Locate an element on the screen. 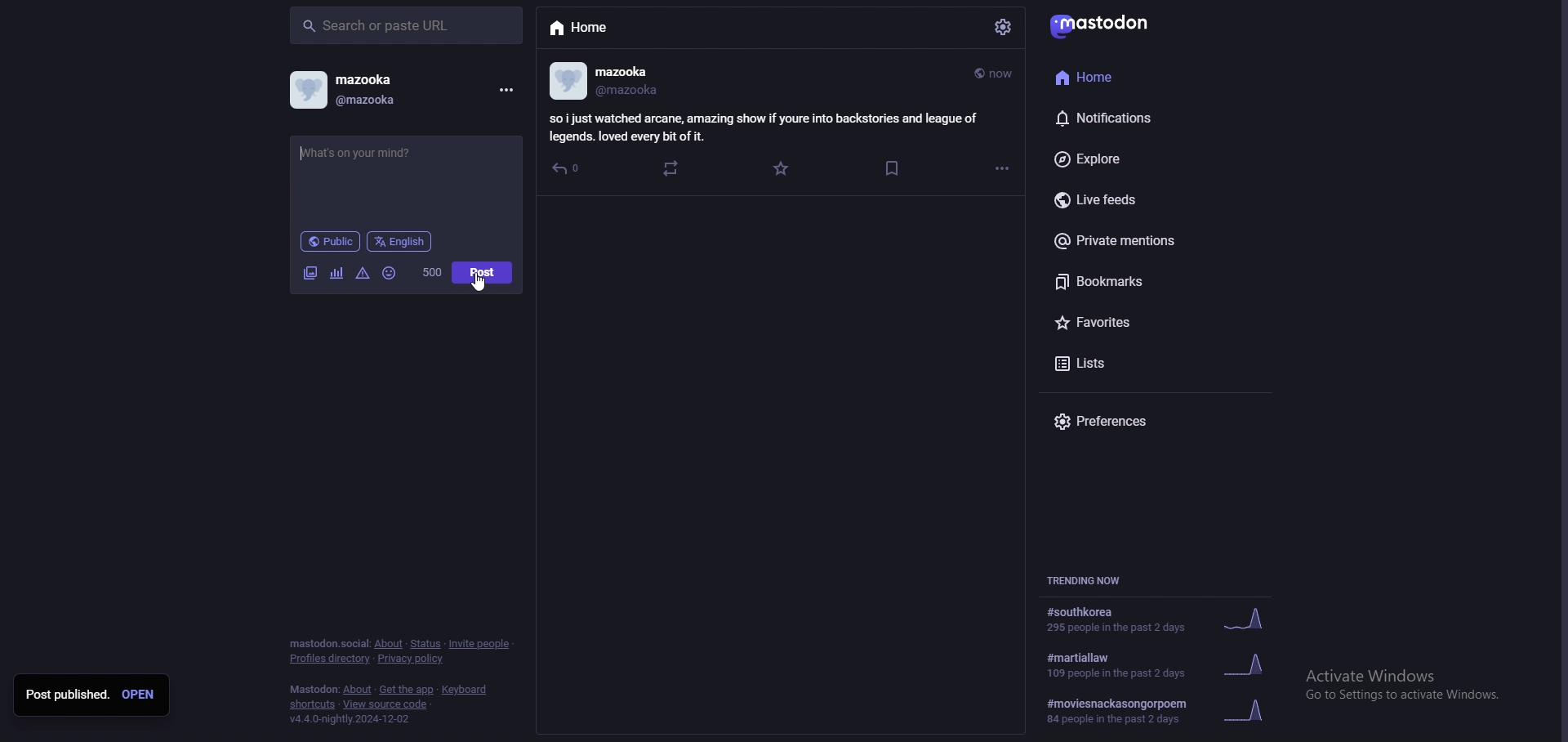  status compose is located at coordinates (405, 179).